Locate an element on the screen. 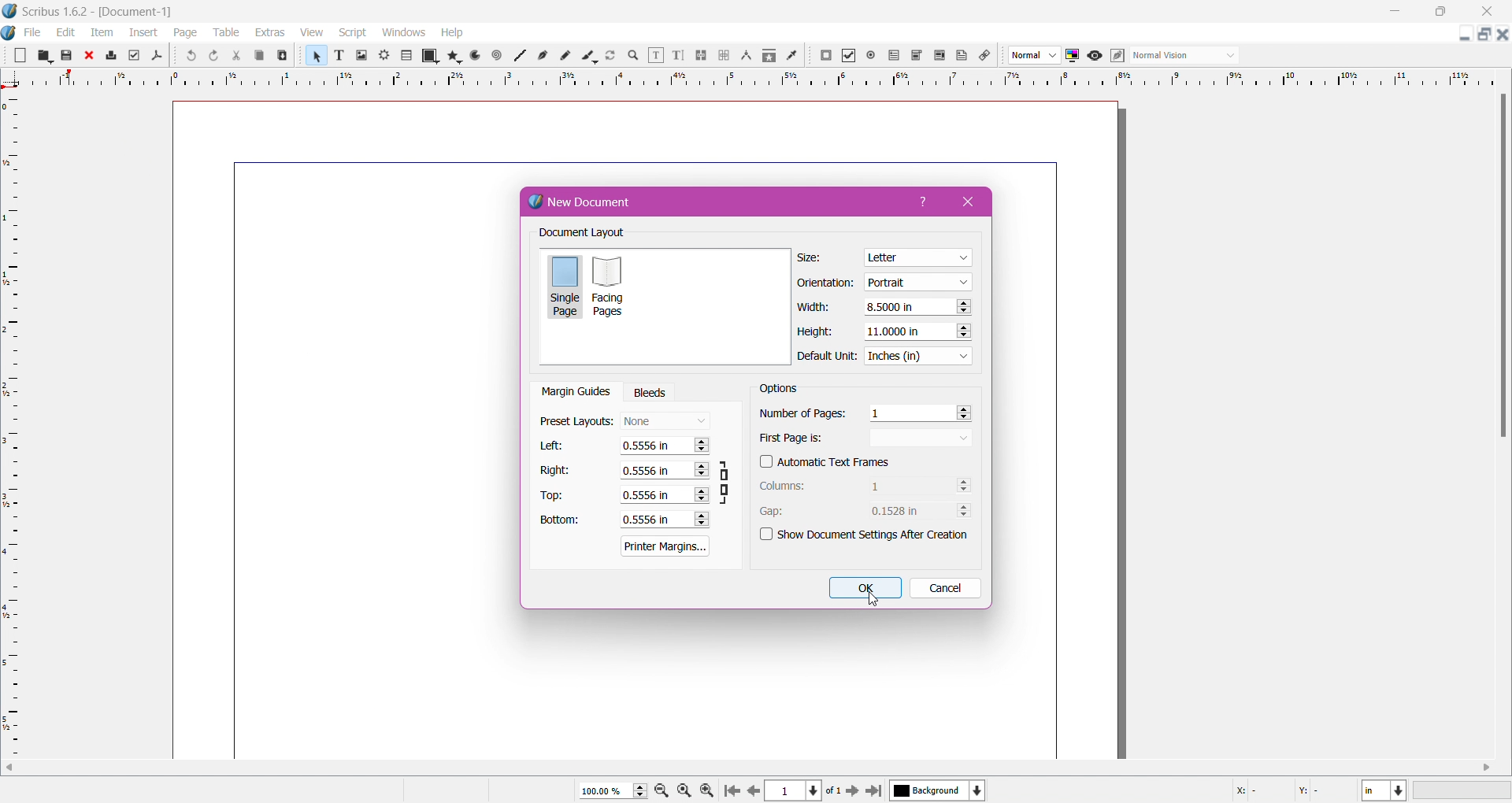 The width and height of the screenshot is (1512, 803). close is located at coordinates (1488, 9).